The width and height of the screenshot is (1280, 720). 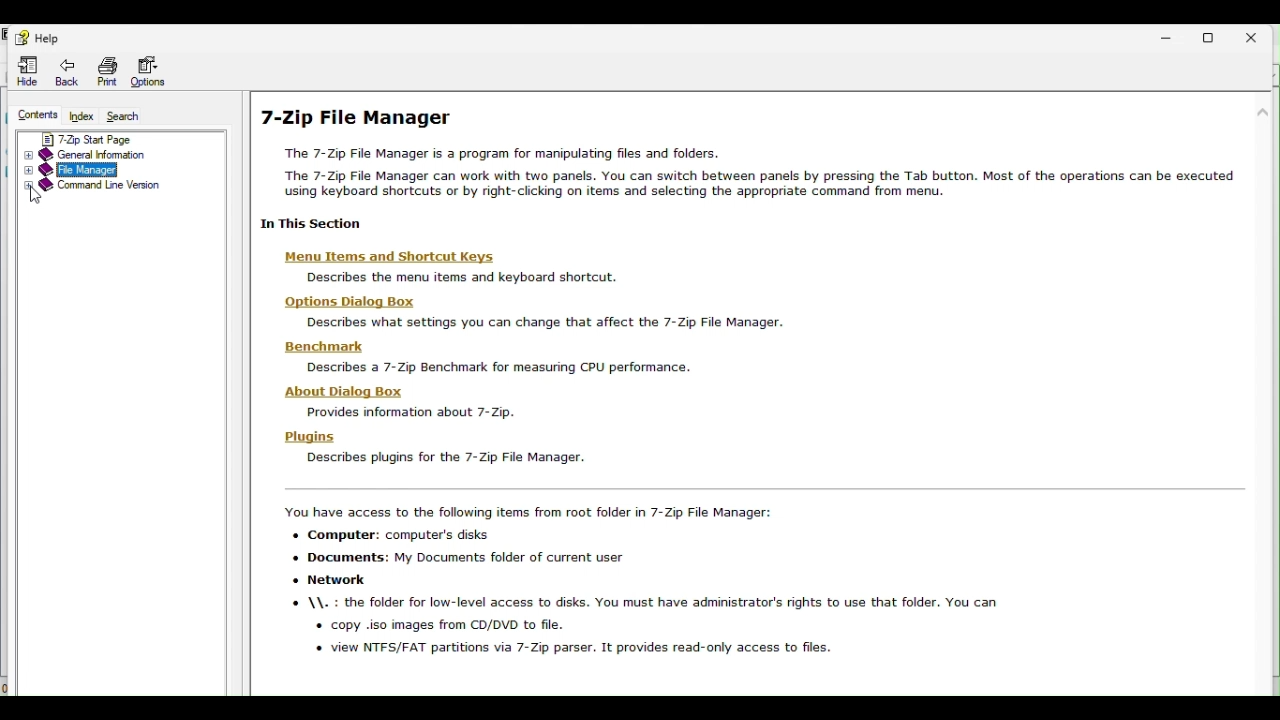 I want to click on File manager, so click(x=92, y=170).